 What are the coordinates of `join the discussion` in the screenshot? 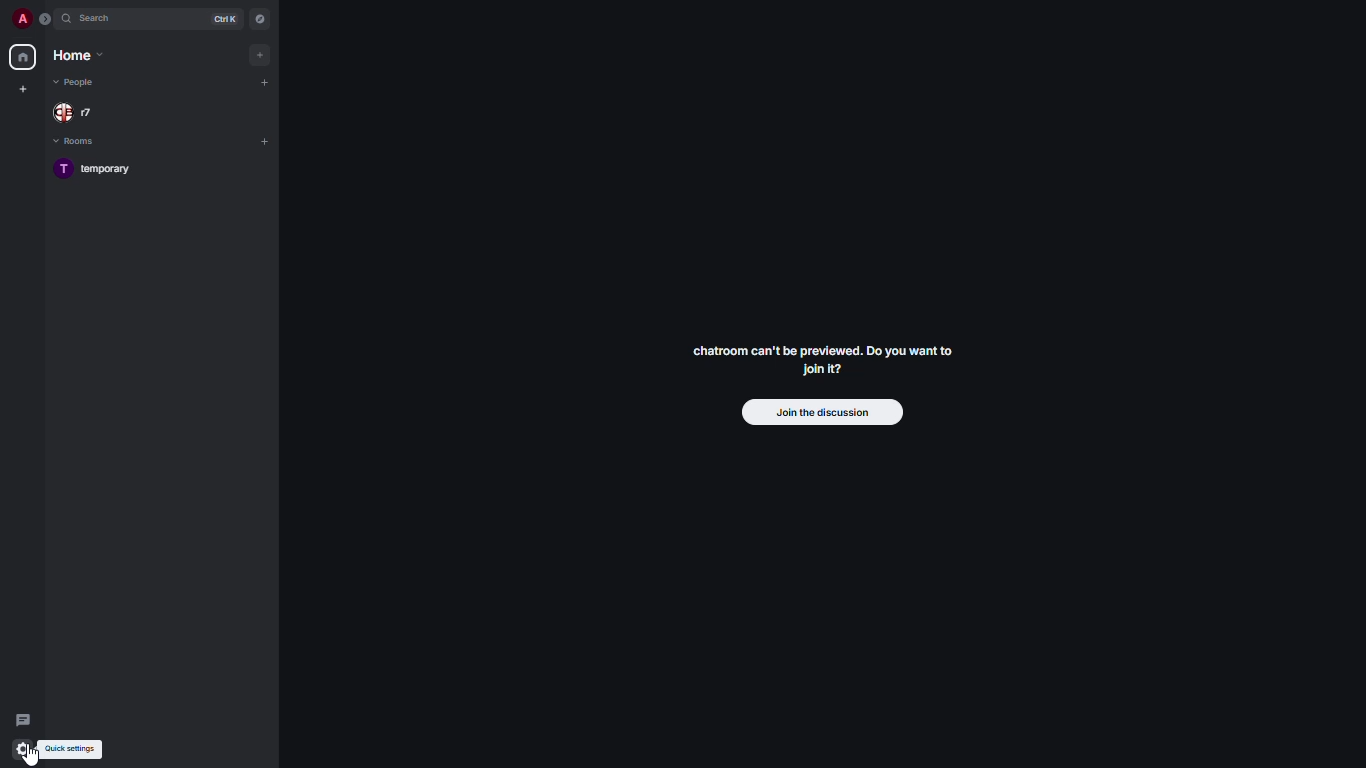 It's located at (819, 411).